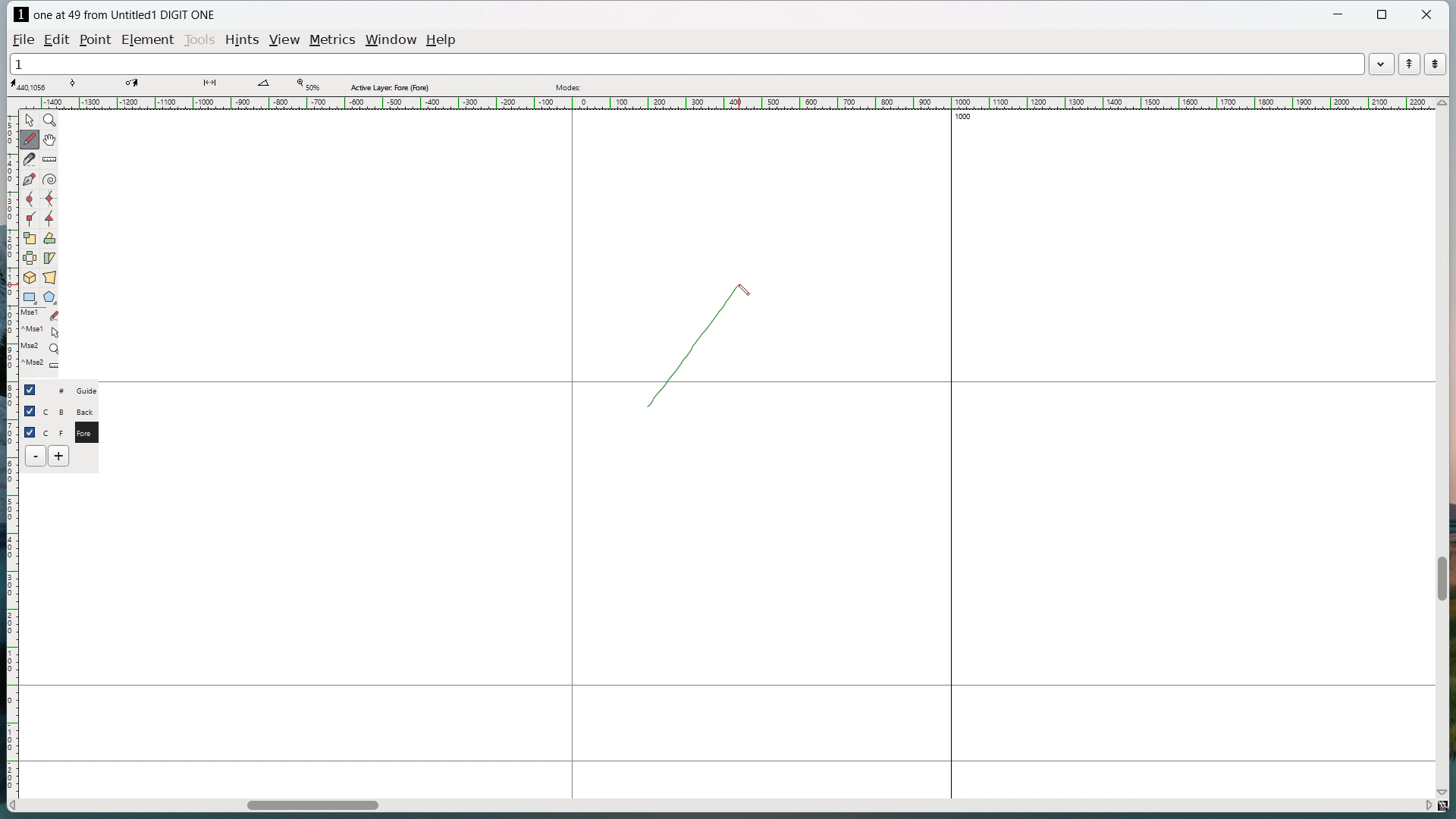 This screenshot has width=1456, height=819. Describe the element at coordinates (30, 199) in the screenshot. I see `add a curve point` at that location.